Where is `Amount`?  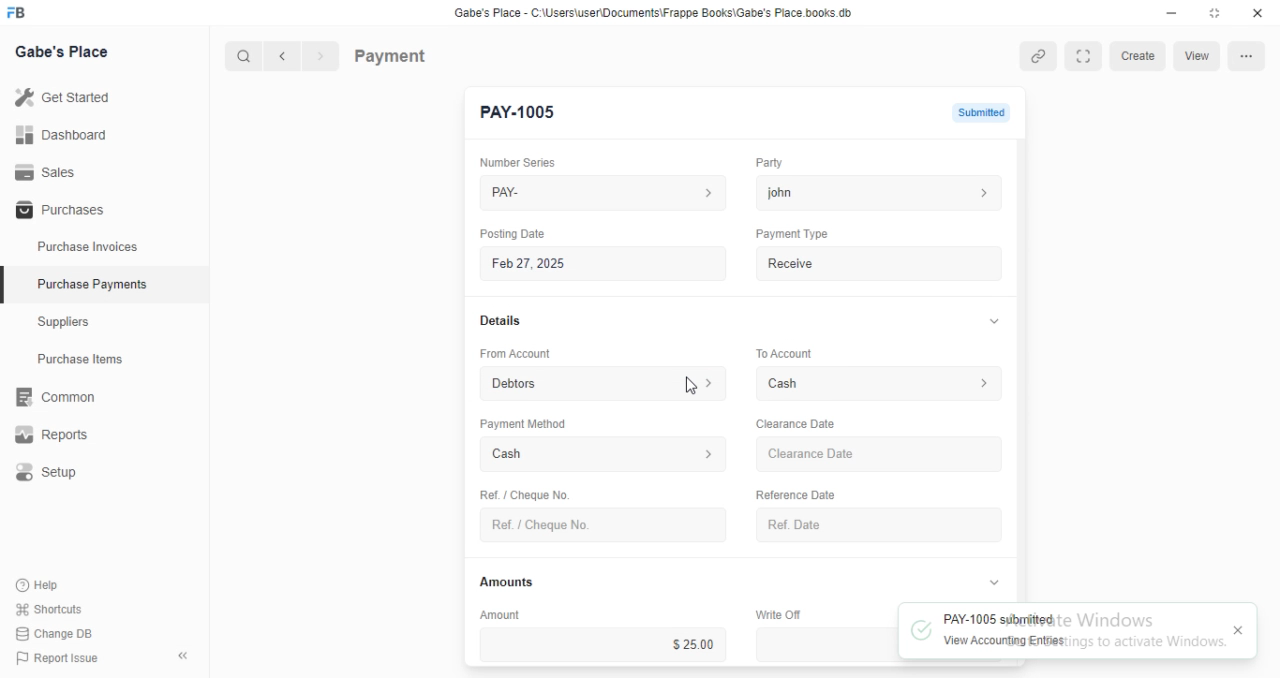 Amount is located at coordinates (497, 614).